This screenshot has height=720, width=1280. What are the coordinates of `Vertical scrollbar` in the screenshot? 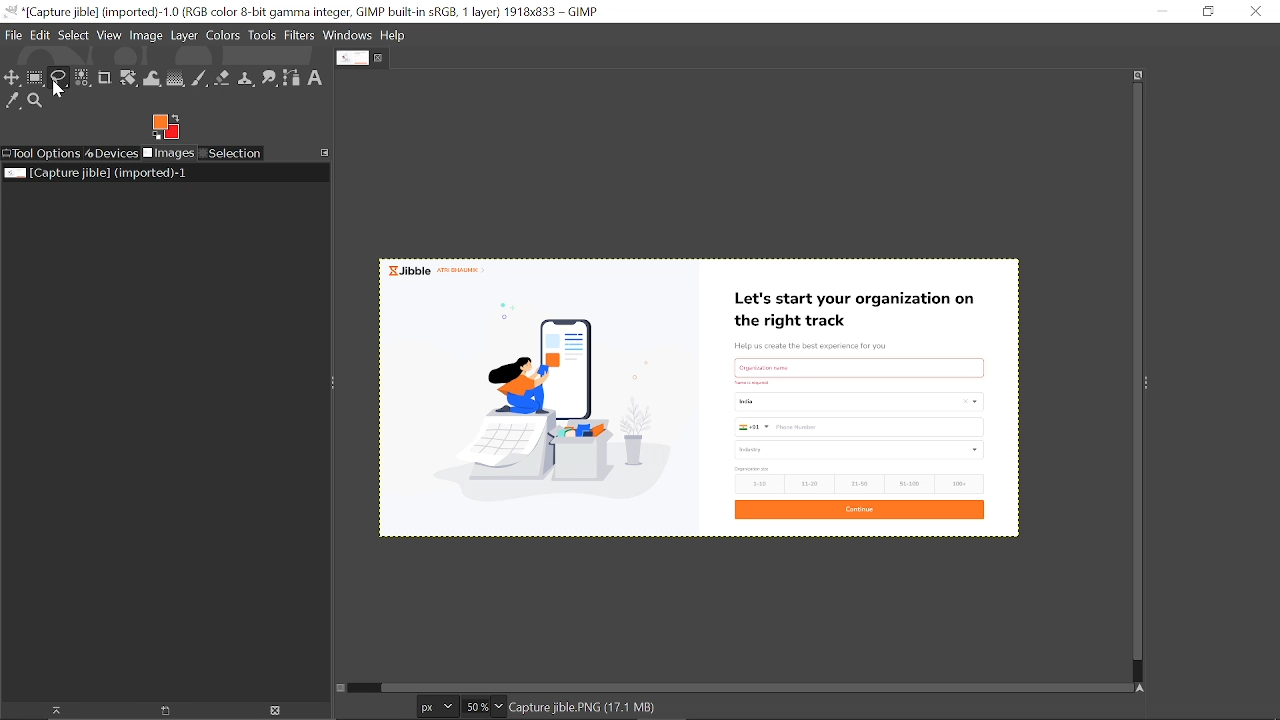 It's located at (1134, 374).